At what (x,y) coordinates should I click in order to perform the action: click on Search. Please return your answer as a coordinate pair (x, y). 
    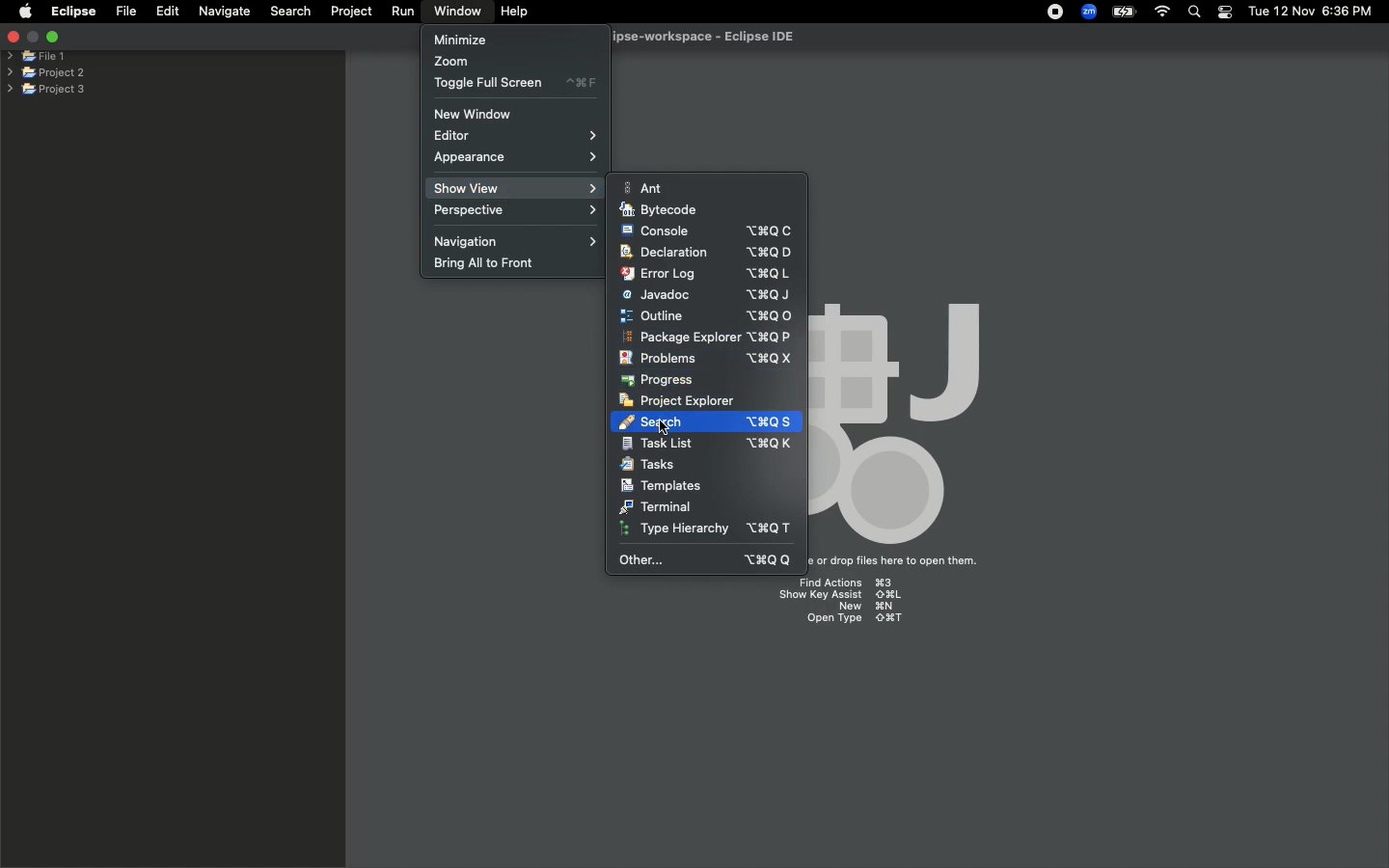
    Looking at the image, I should click on (1195, 14).